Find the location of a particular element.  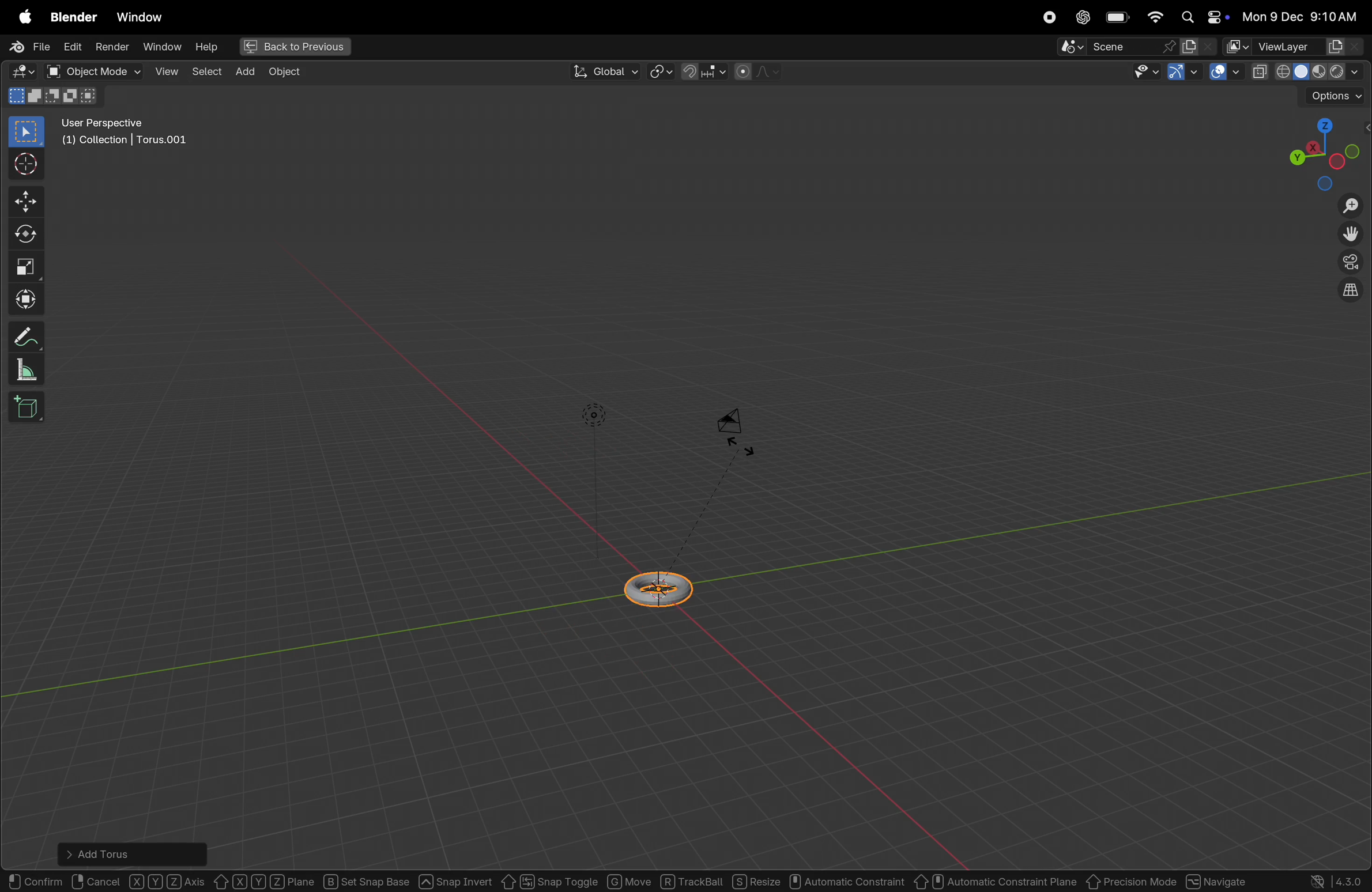

chatgpt is located at coordinates (1081, 17).